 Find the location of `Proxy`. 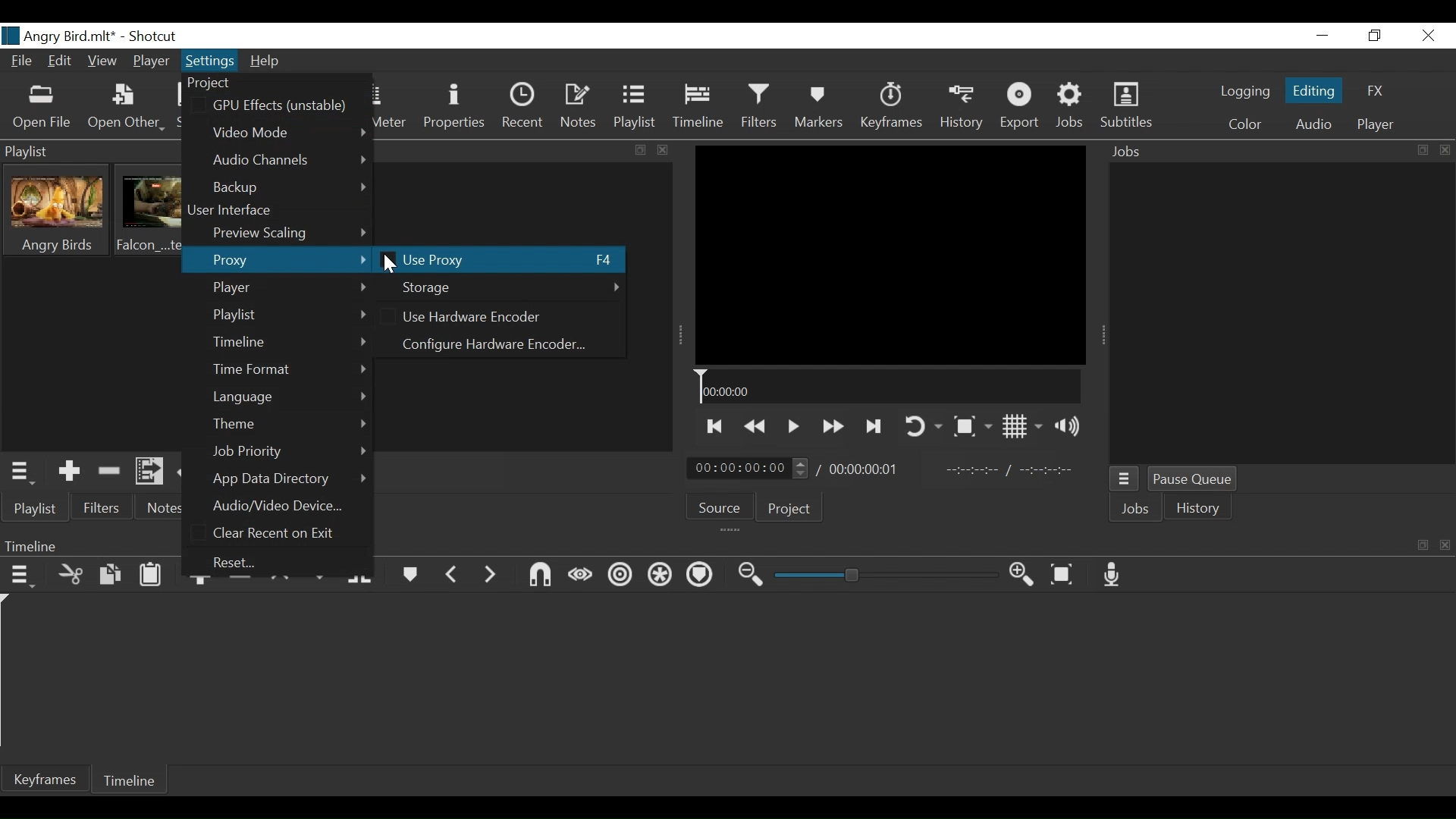

Proxy is located at coordinates (279, 261).